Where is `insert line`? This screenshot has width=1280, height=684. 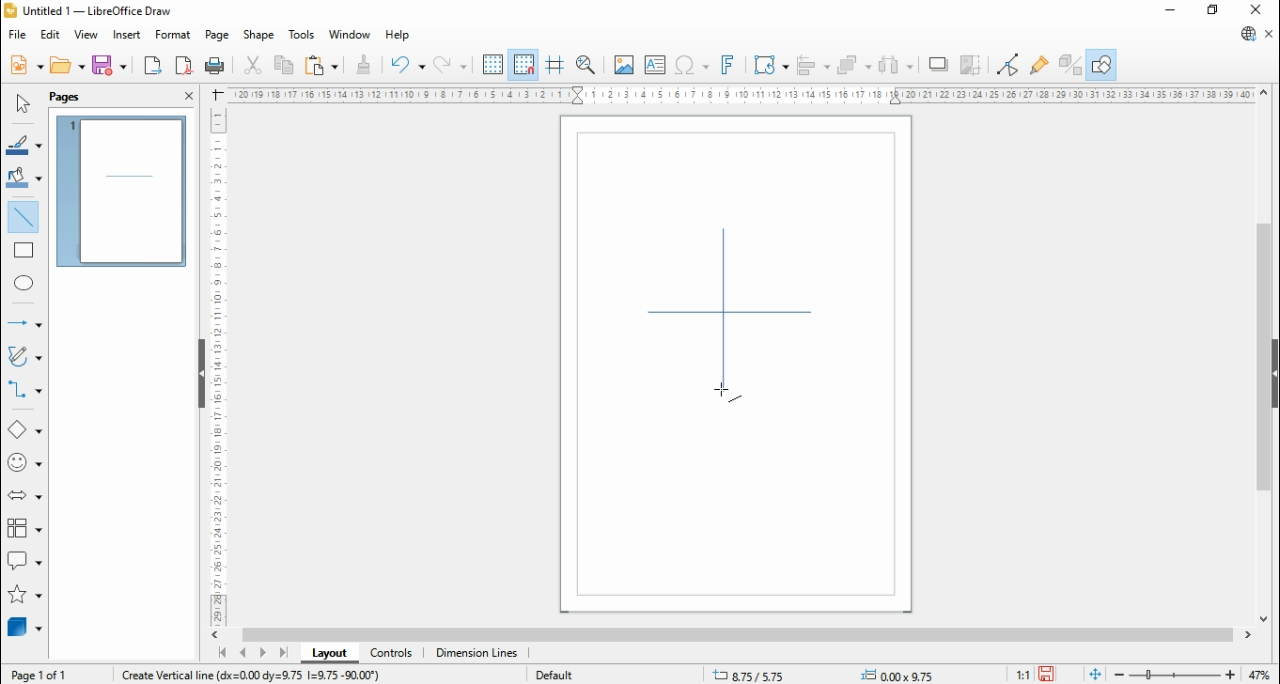
insert line is located at coordinates (24, 215).